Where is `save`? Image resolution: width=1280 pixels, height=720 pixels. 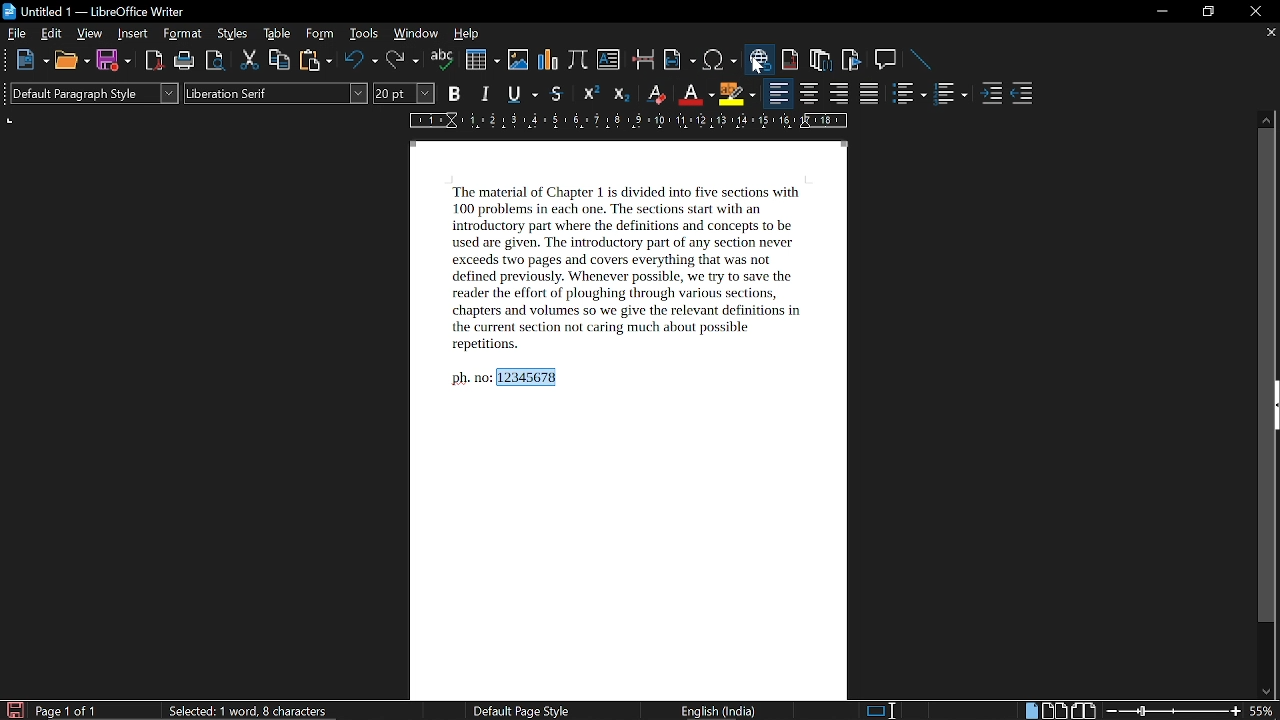
save is located at coordinates (113, 60).